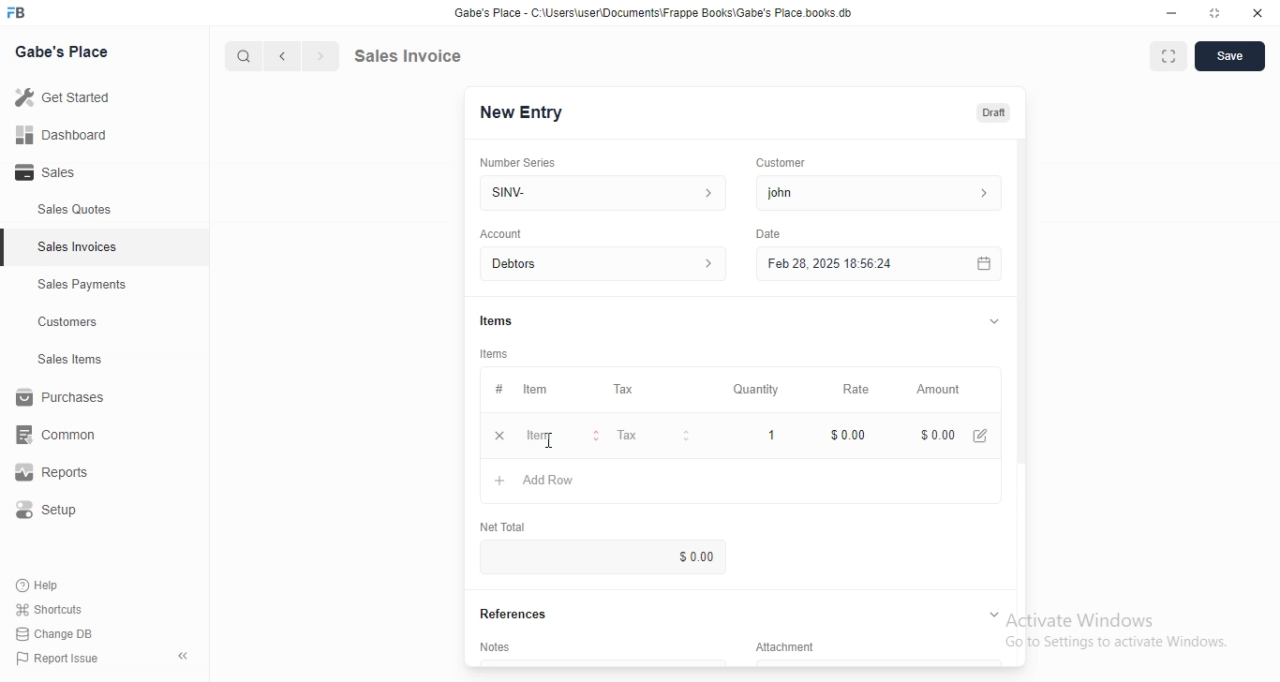 This screenshot has height=682, width=1280. What do you see at coordinates (520, 161) in the screenshot?
I see `‘Number Series.` at bounding box center [520, 161].